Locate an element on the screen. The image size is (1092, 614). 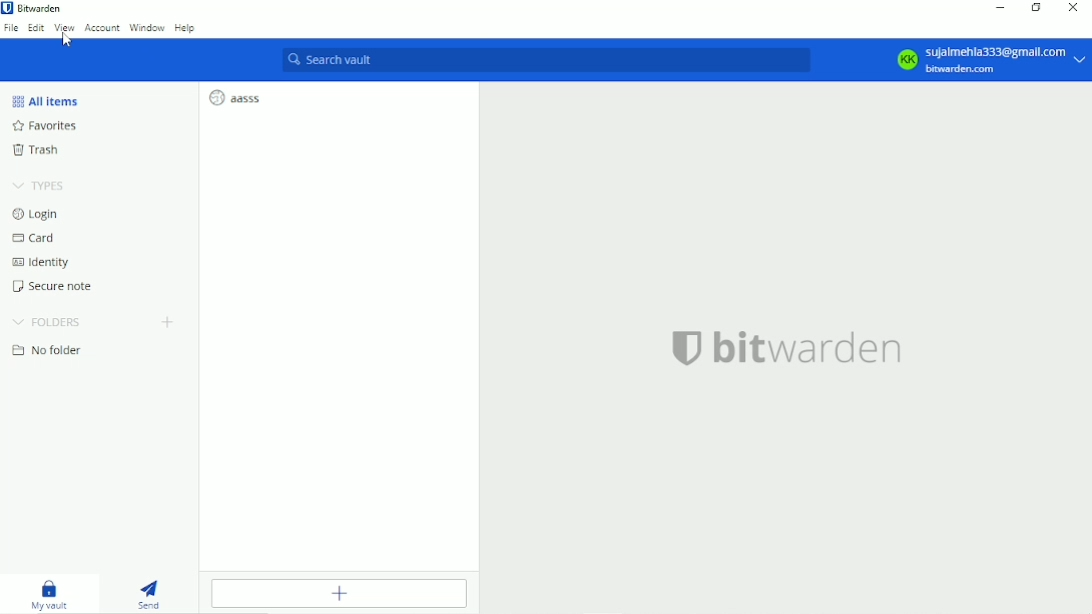
Types is located at coordinates (42, 185).